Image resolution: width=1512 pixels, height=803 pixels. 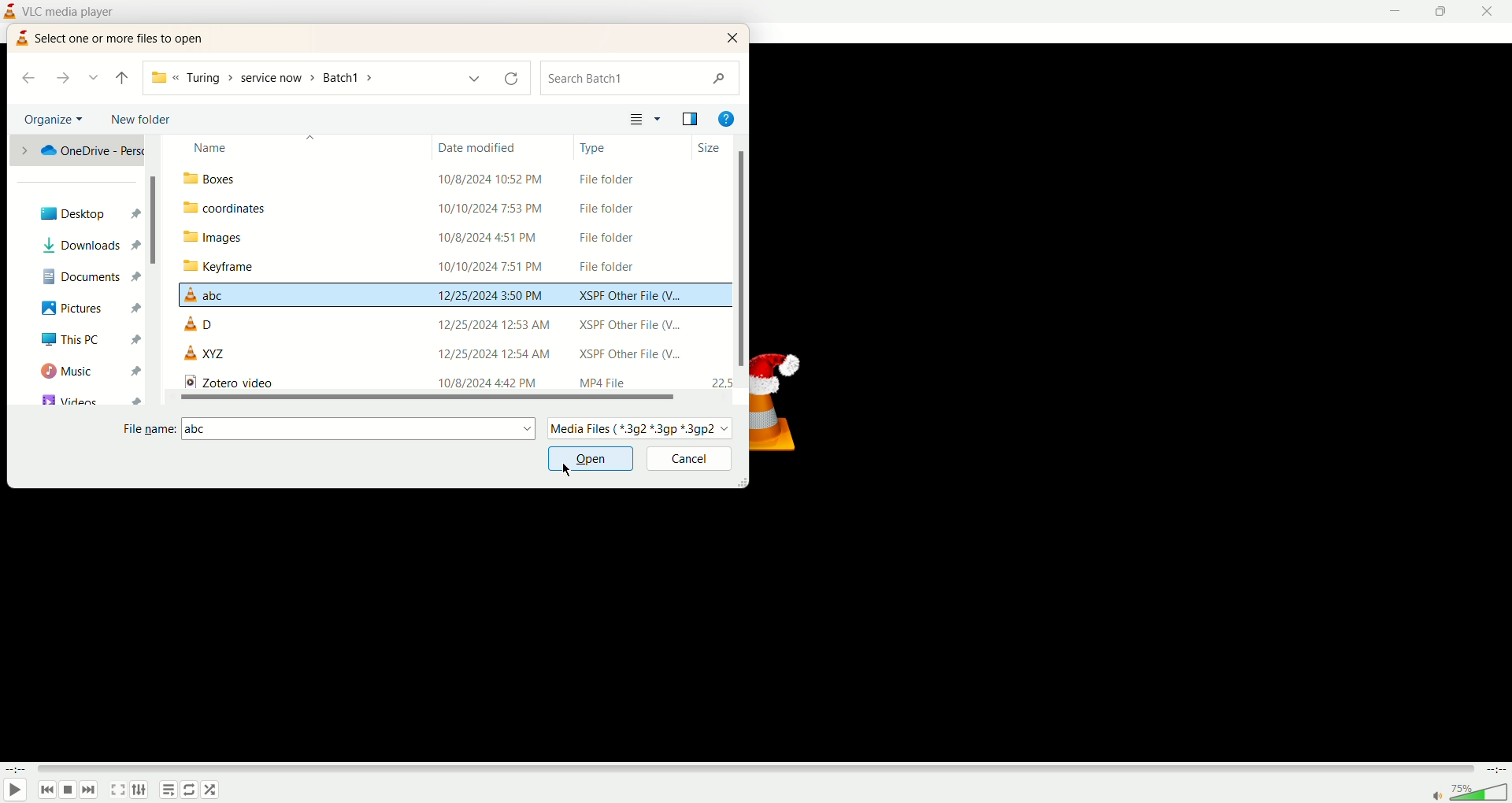 What do you see at coordinates (472, 79) in the screenshot?
I see `previous locations` at bounding box center [472, 79].